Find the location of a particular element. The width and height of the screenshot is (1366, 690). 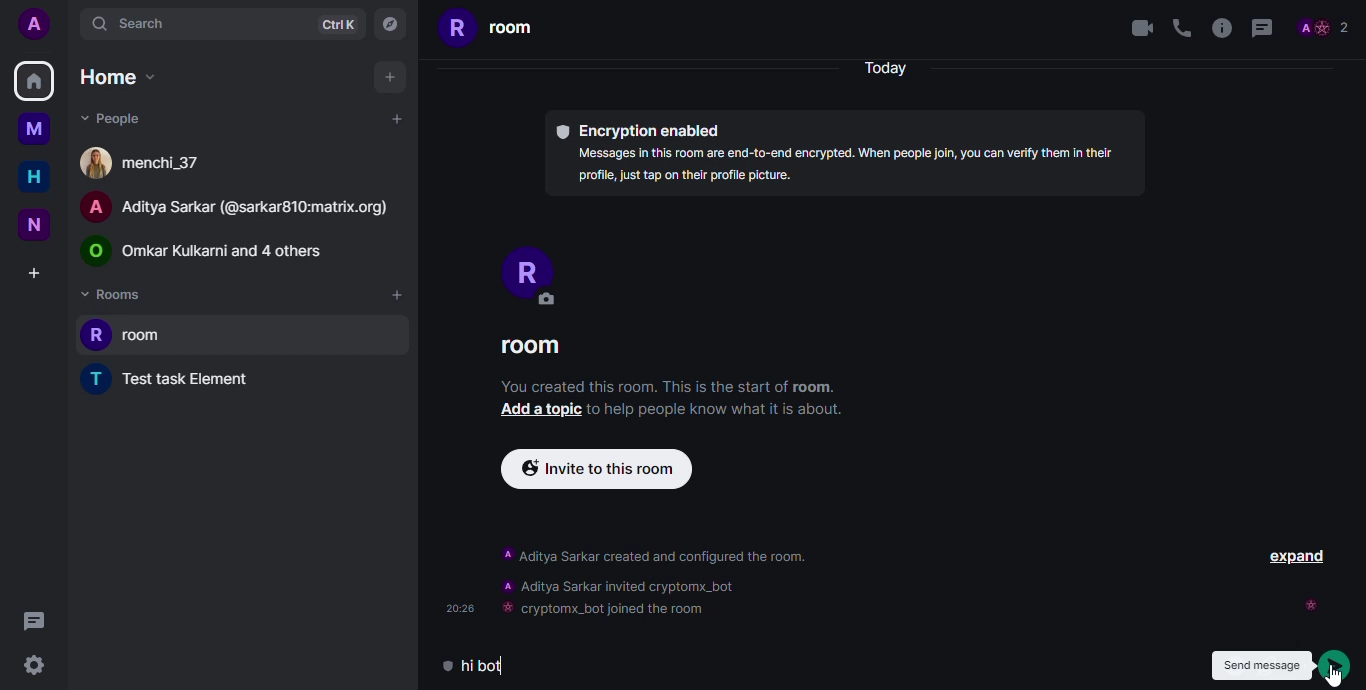

people is located at coordinates (143, 163).